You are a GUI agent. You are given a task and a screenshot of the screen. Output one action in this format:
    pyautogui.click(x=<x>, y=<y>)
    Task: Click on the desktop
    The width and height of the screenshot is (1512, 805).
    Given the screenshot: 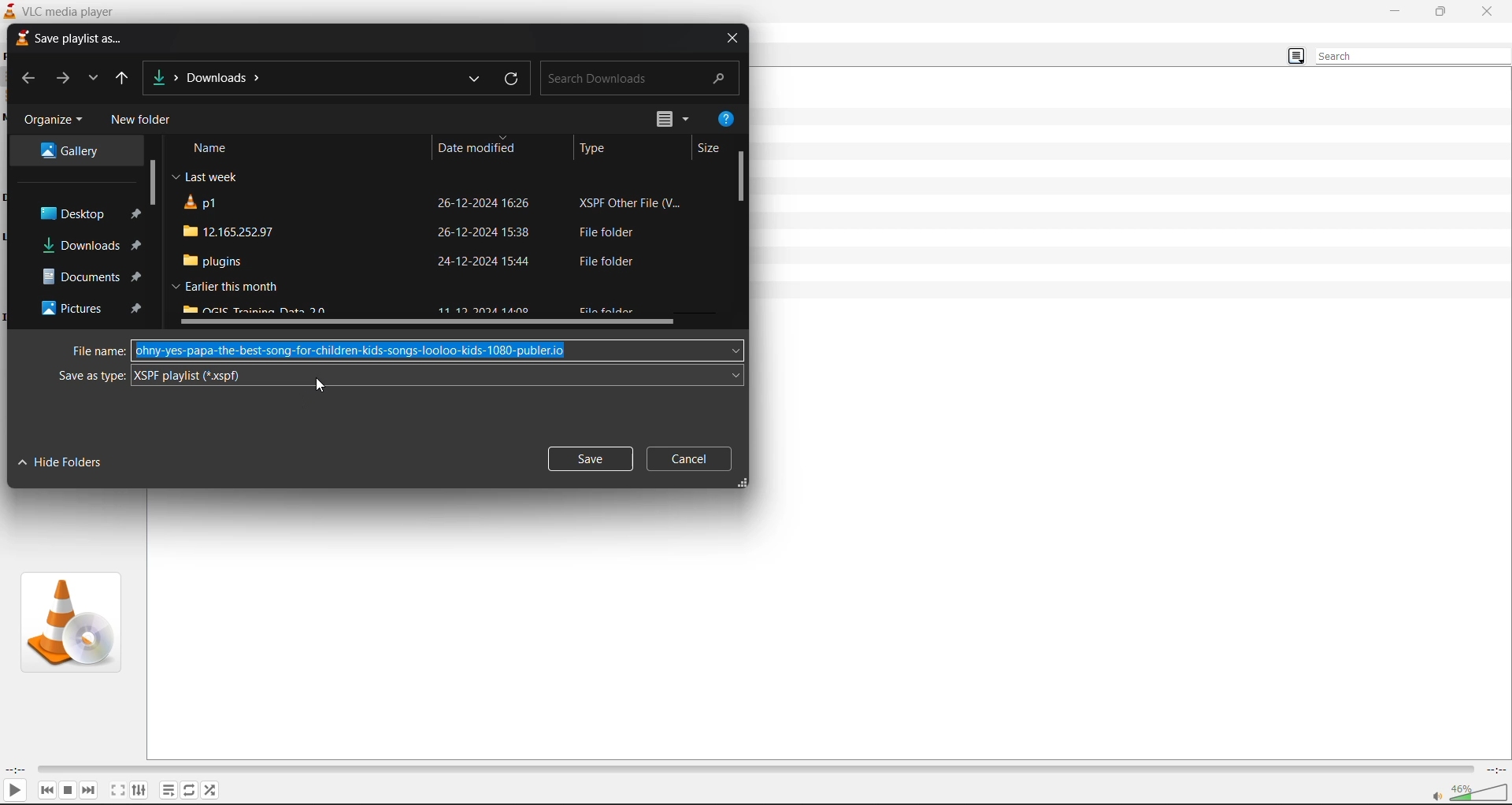 What is the action you would take?
    pyautogui.click(x=80, y=214)
    